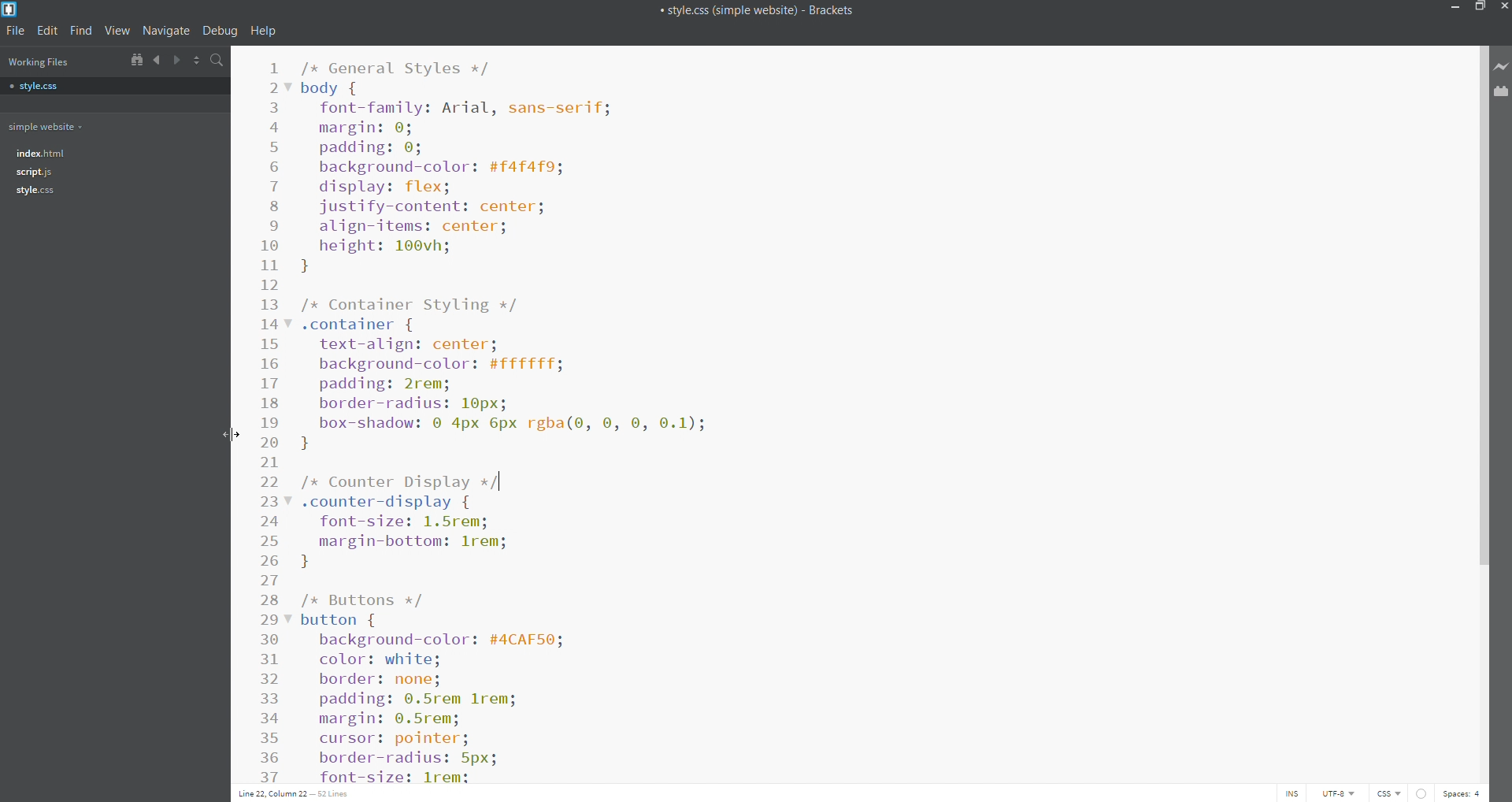 This screenshot has width=1512, height=802. What do you see at coordinates (1503, 94) in the screenshot?
I see `extension management` at bounding box center [1503, 94].